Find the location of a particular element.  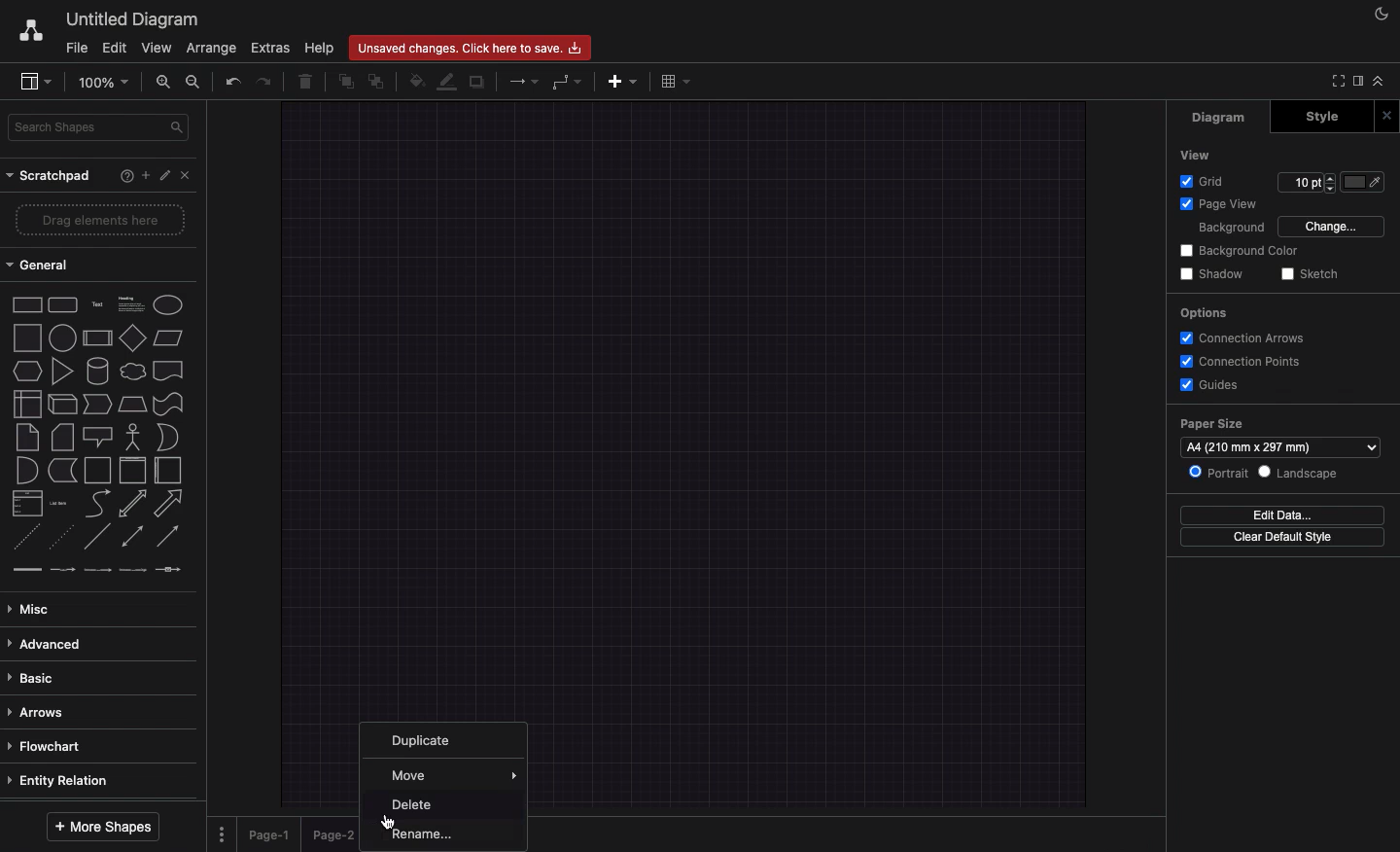

Edit data is located at coordinates (1281, 516).